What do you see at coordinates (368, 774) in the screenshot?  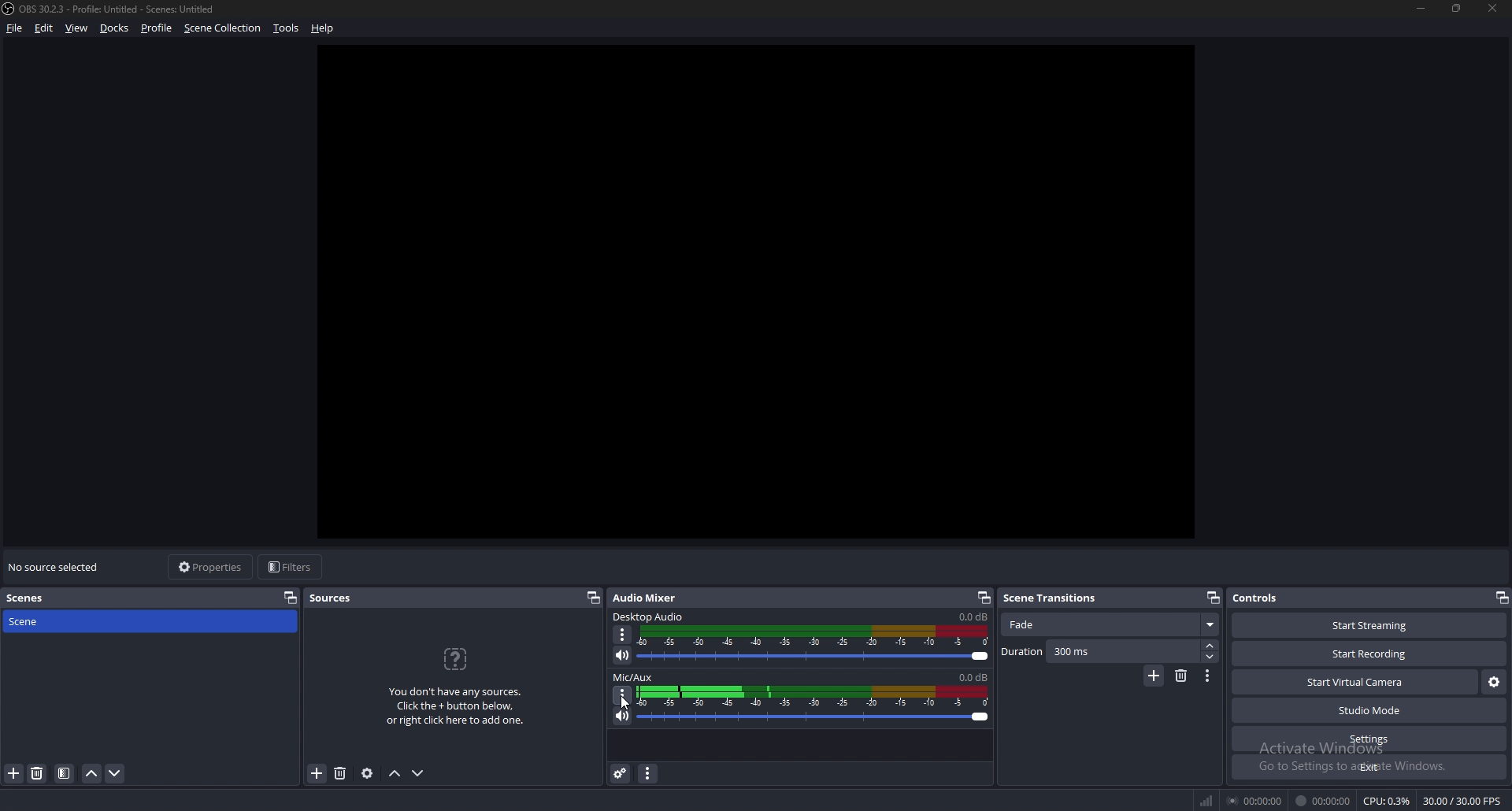 I see `source properties` at bounding box center [368, 774].